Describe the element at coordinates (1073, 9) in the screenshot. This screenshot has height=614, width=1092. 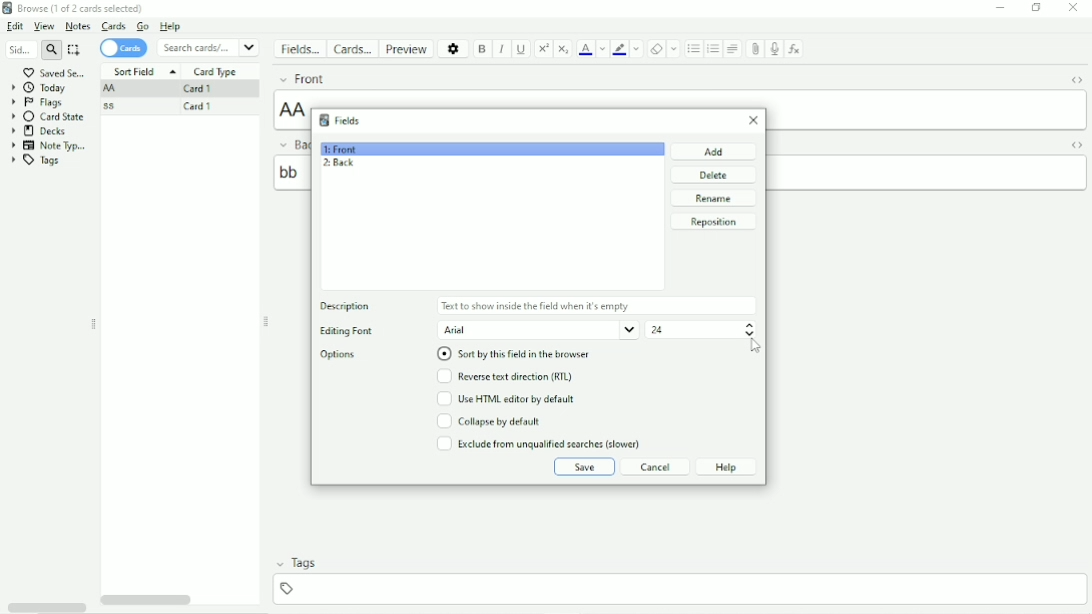
I see `Close` at that location.